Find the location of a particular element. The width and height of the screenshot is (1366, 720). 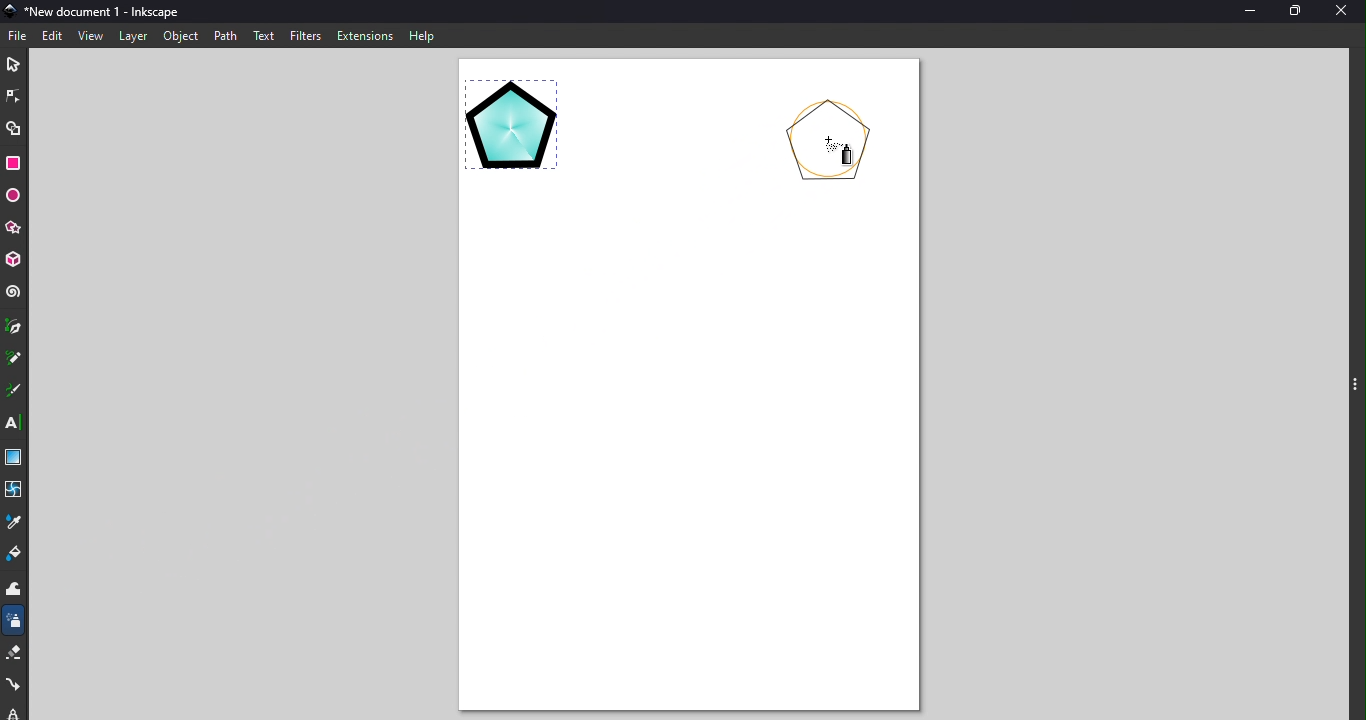

Edit is located at coordinates (50, 35).